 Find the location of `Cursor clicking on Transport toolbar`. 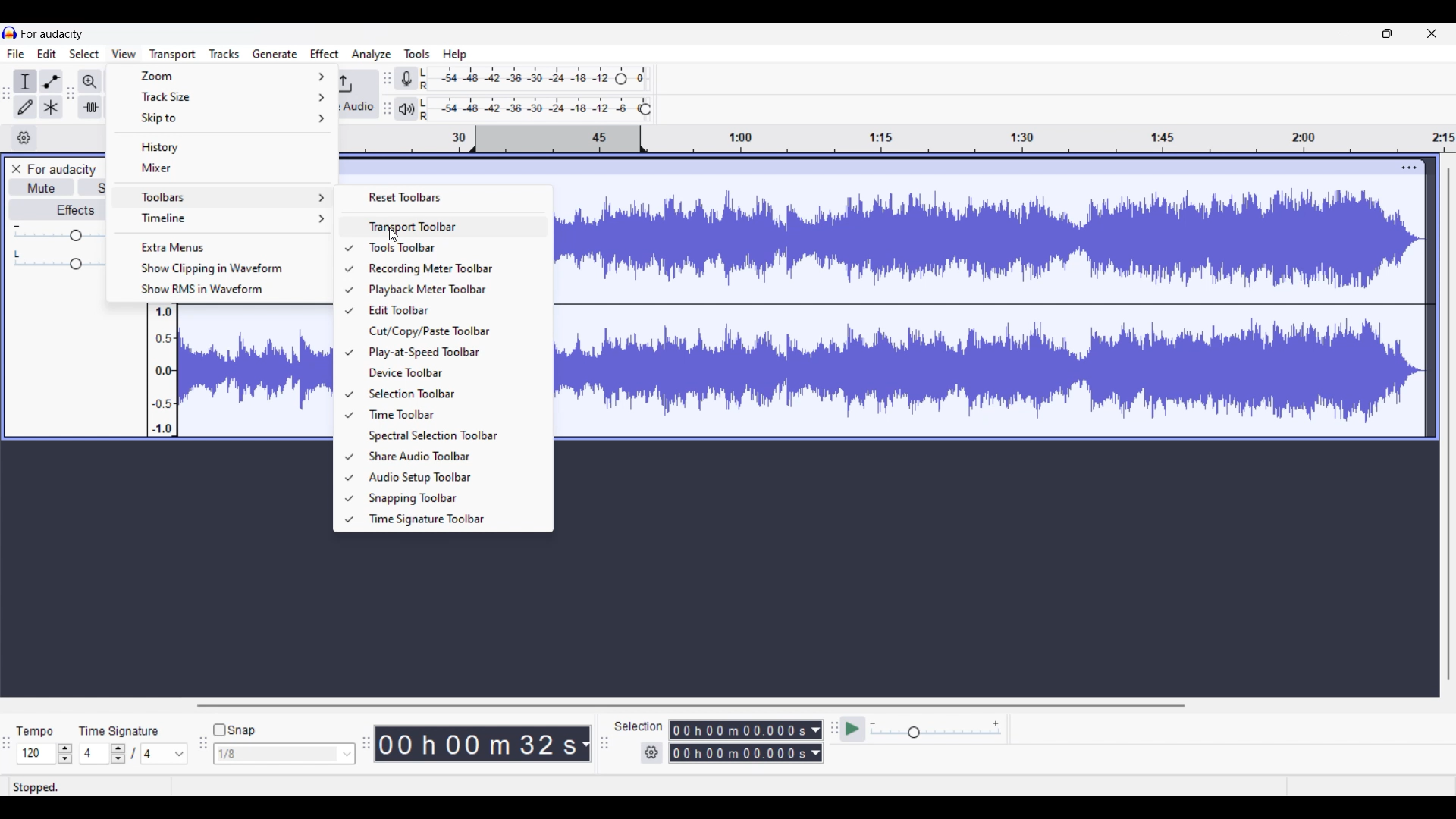

Cursor clicking on Transport toolbar is located at coordinates (394, 236).